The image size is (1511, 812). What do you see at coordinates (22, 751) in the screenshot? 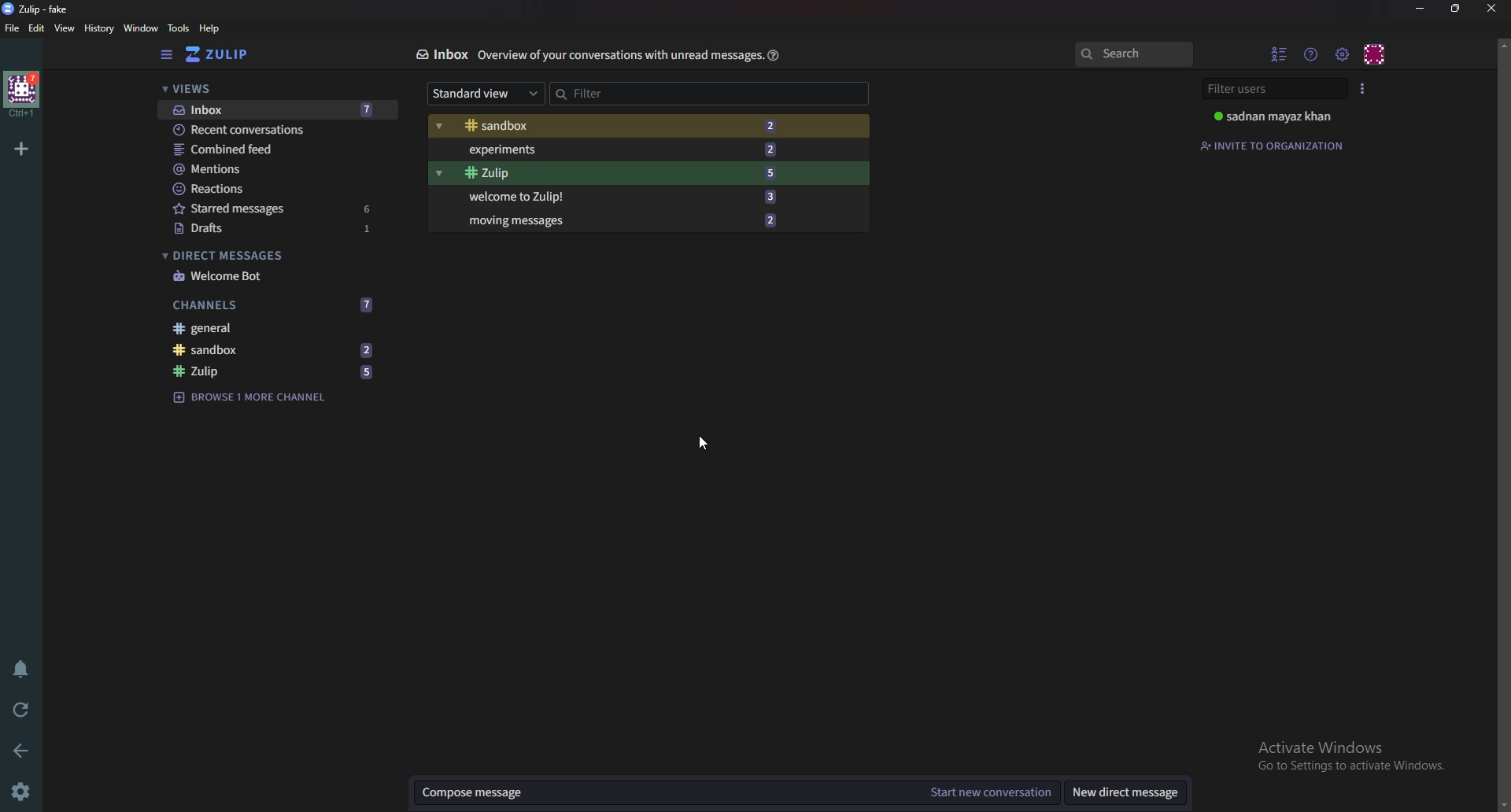
I see `back` at bounding box center [22, 751].